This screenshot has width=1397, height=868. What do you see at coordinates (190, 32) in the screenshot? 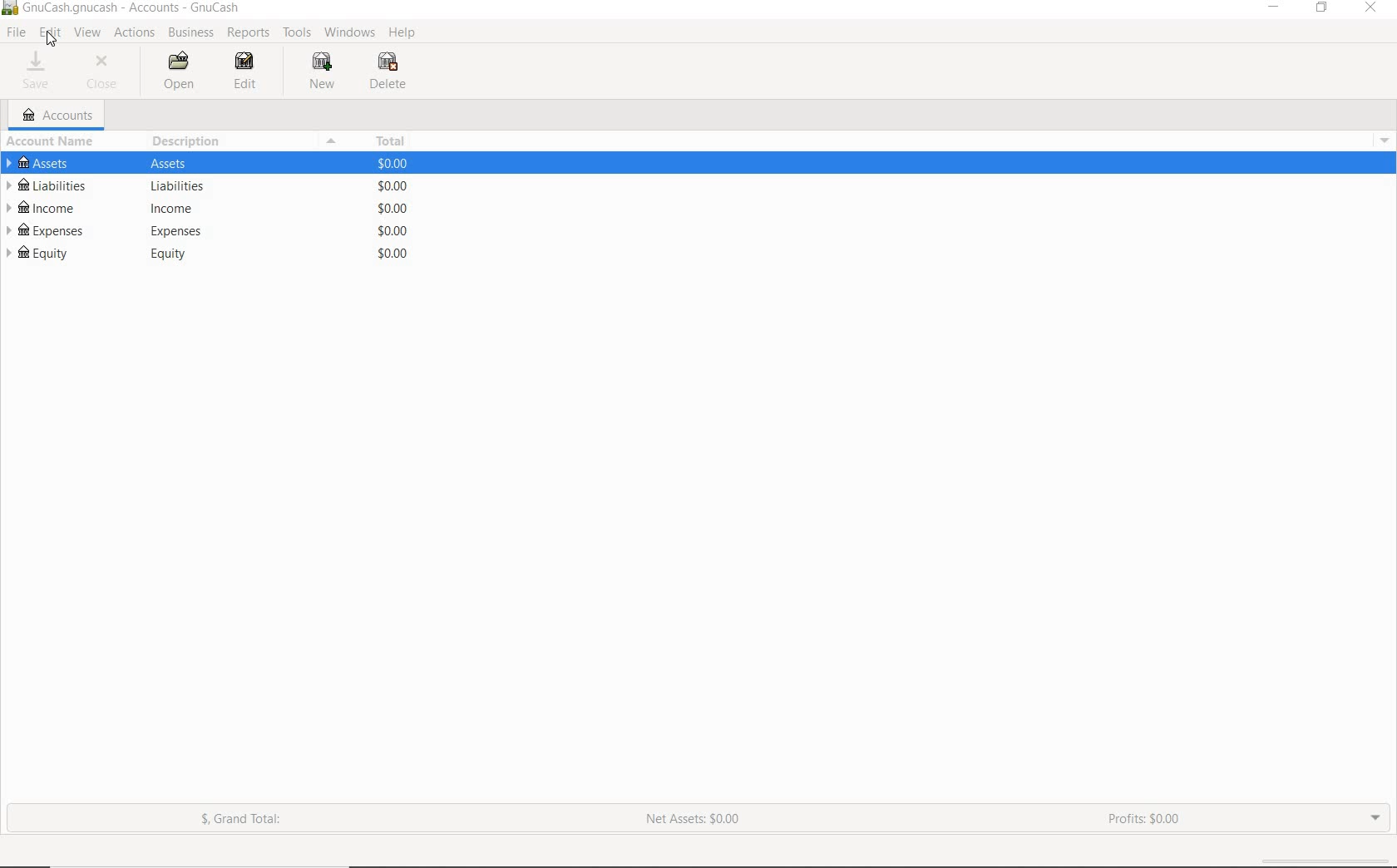
I see `BUSIINESS` at bounding box center [190, 32].